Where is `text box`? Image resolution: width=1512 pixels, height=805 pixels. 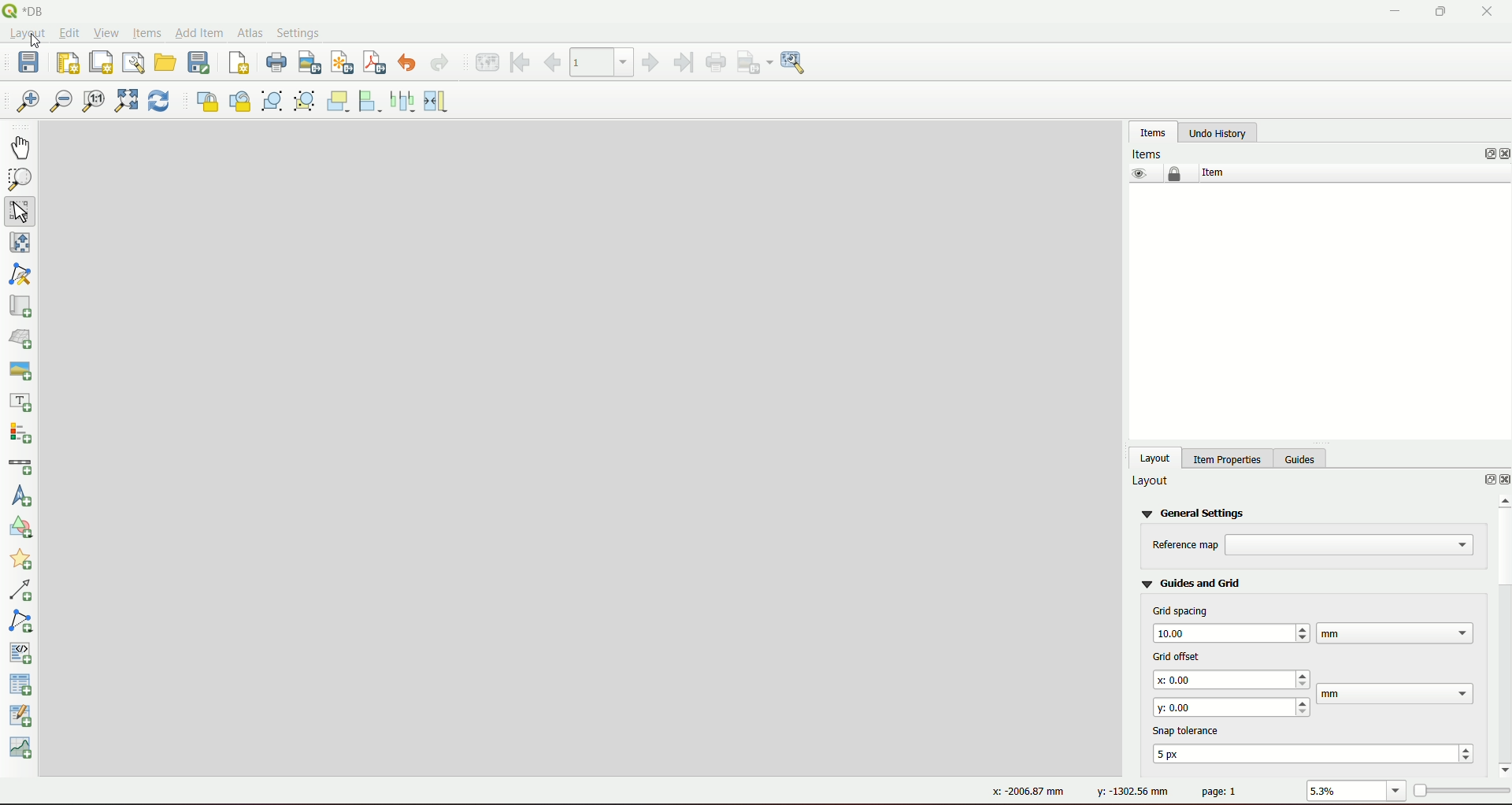
text box is located at coordinates (1230, 632).